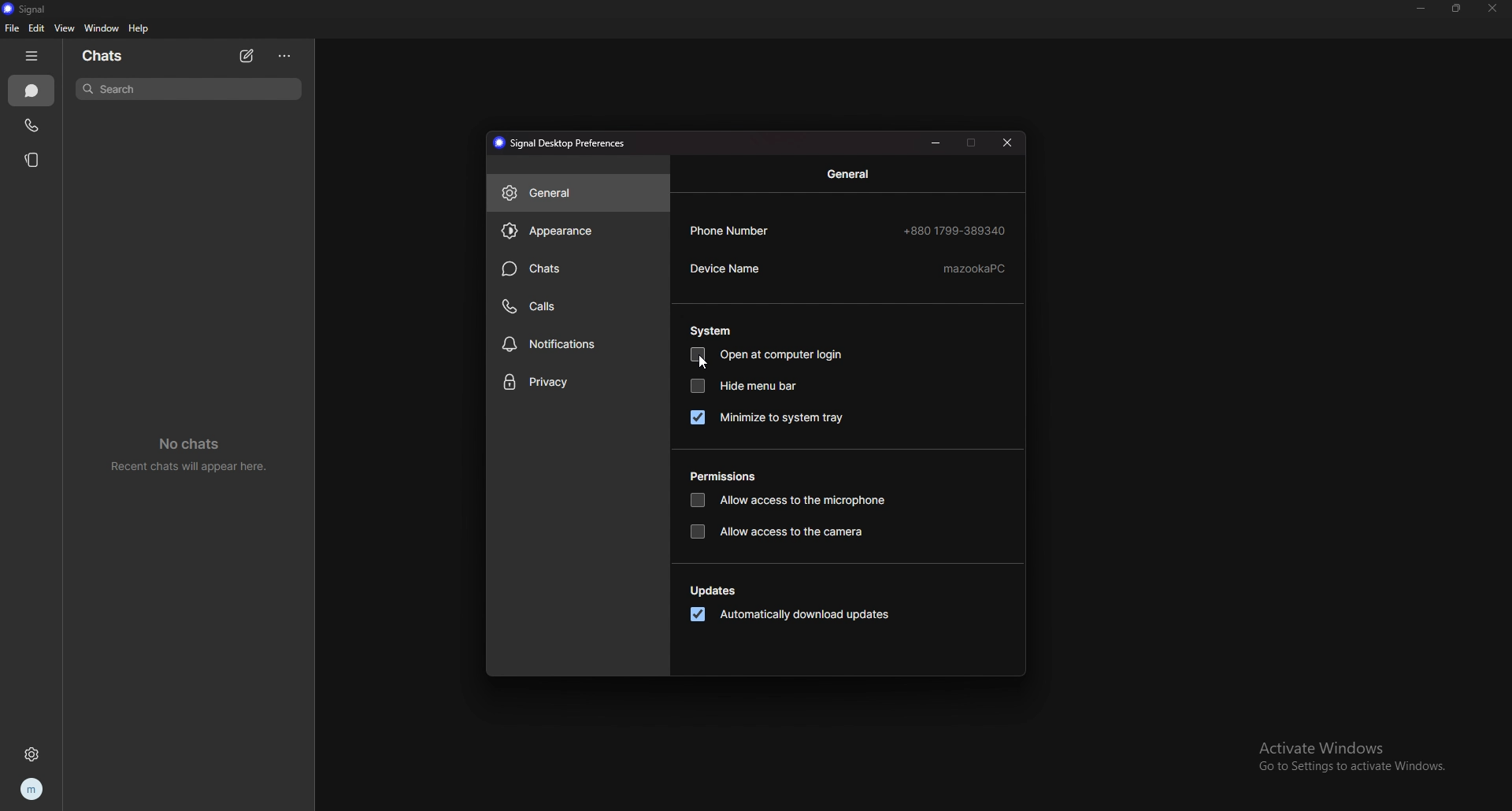  I want to click on device name, so click(847, 270).